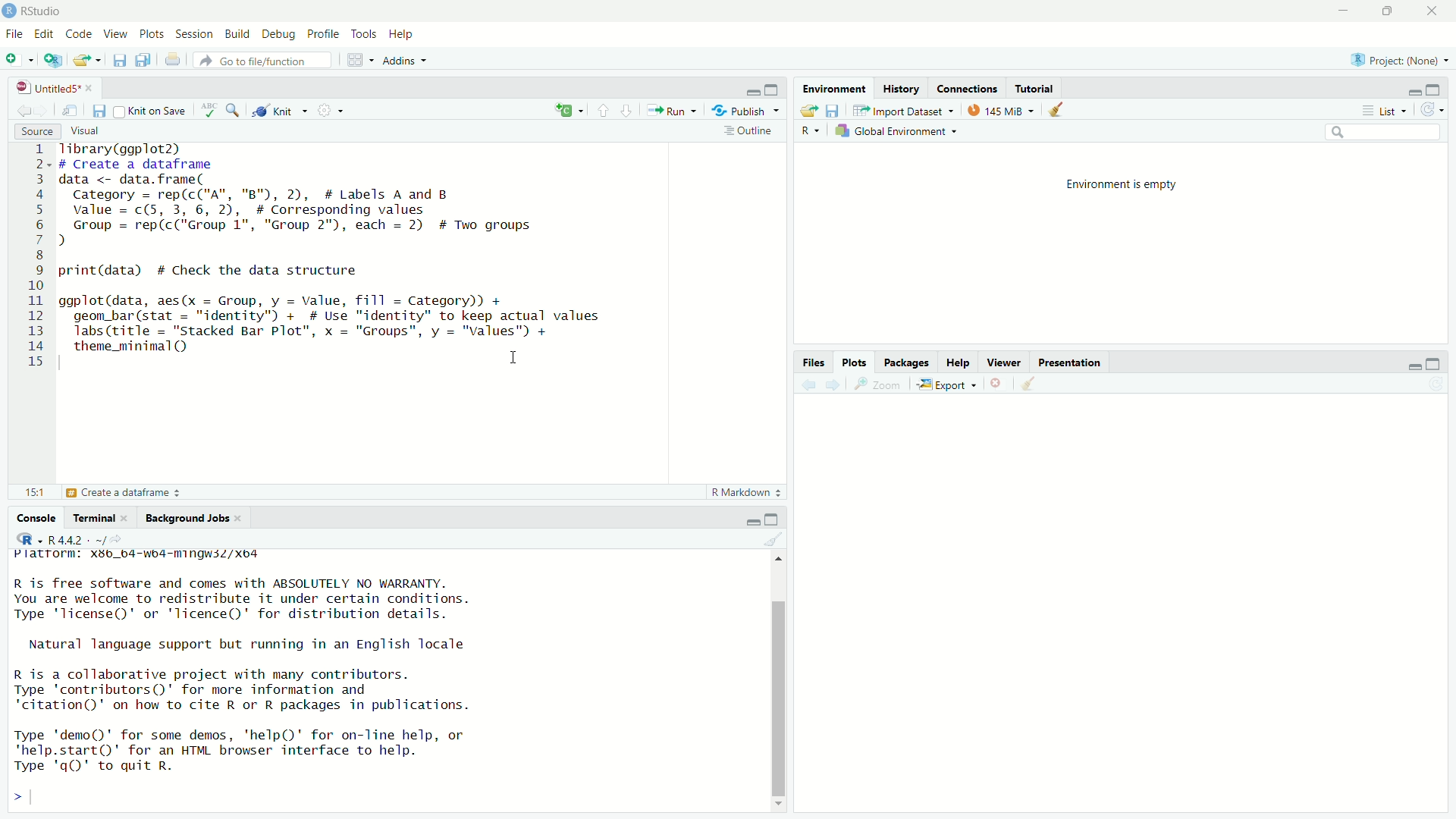 This screenshot has height=819, width=1456. Describe the element at coordinates (365, 261) in the screenshot. I see `Tibrary(ggplot2)

# Create a dataframe

data <- data.frame(
Category = rep(c("A", "B"), 2), # Labels A and B
value = c(5, 3, 6, 2), # Corresponding values
Group = rep(c("Group 1", "Group 2"), each = 2) # Two groups

)

print(data) # Check the data structure

ggplot(data, aes(x = Group, y = Value, fill = Category)) +
geom_bar(stat = "identity") + # Use "identity" to keep actual values
Jabs(title = "stacked Bar Plot", x = "Groups", y = "Values") +
theme_minimal(Q) 1` at that location.